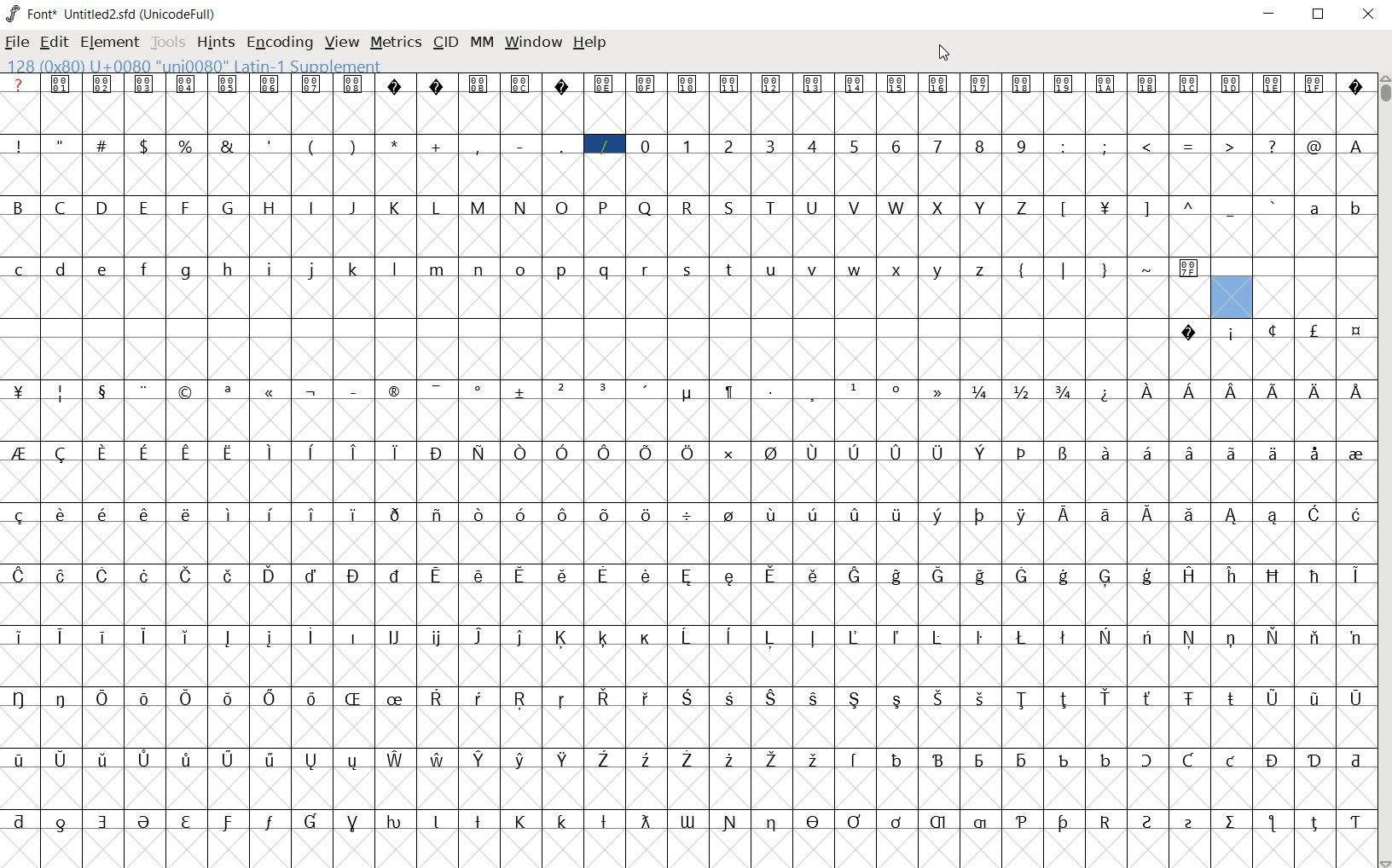 The width and height of the screenshot is (1392, 868). I want to click on glyph, so click(435, 391).